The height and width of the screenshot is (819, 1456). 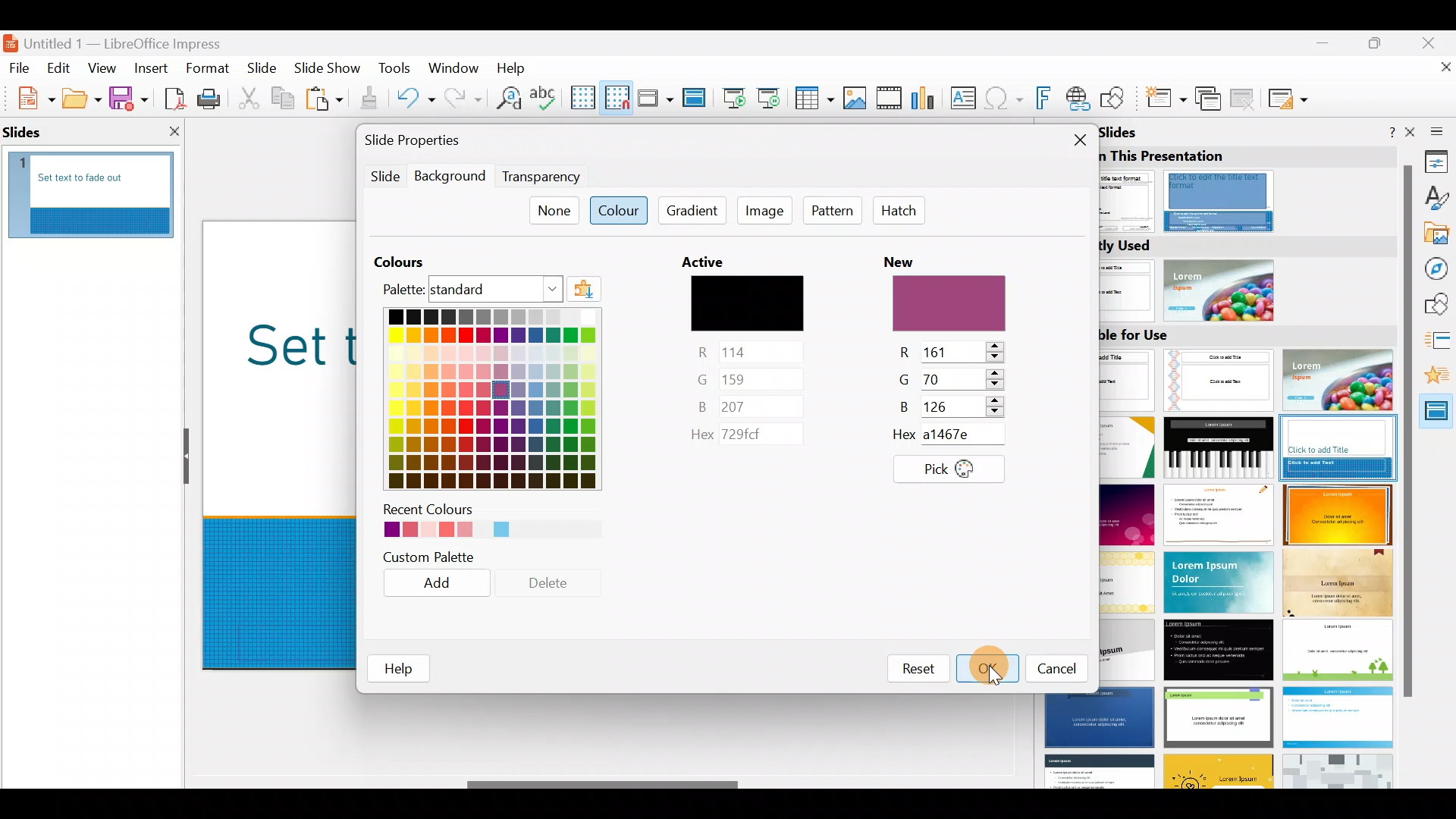 I want to click on Insert hyperlink, so click(x=1079, y=98).